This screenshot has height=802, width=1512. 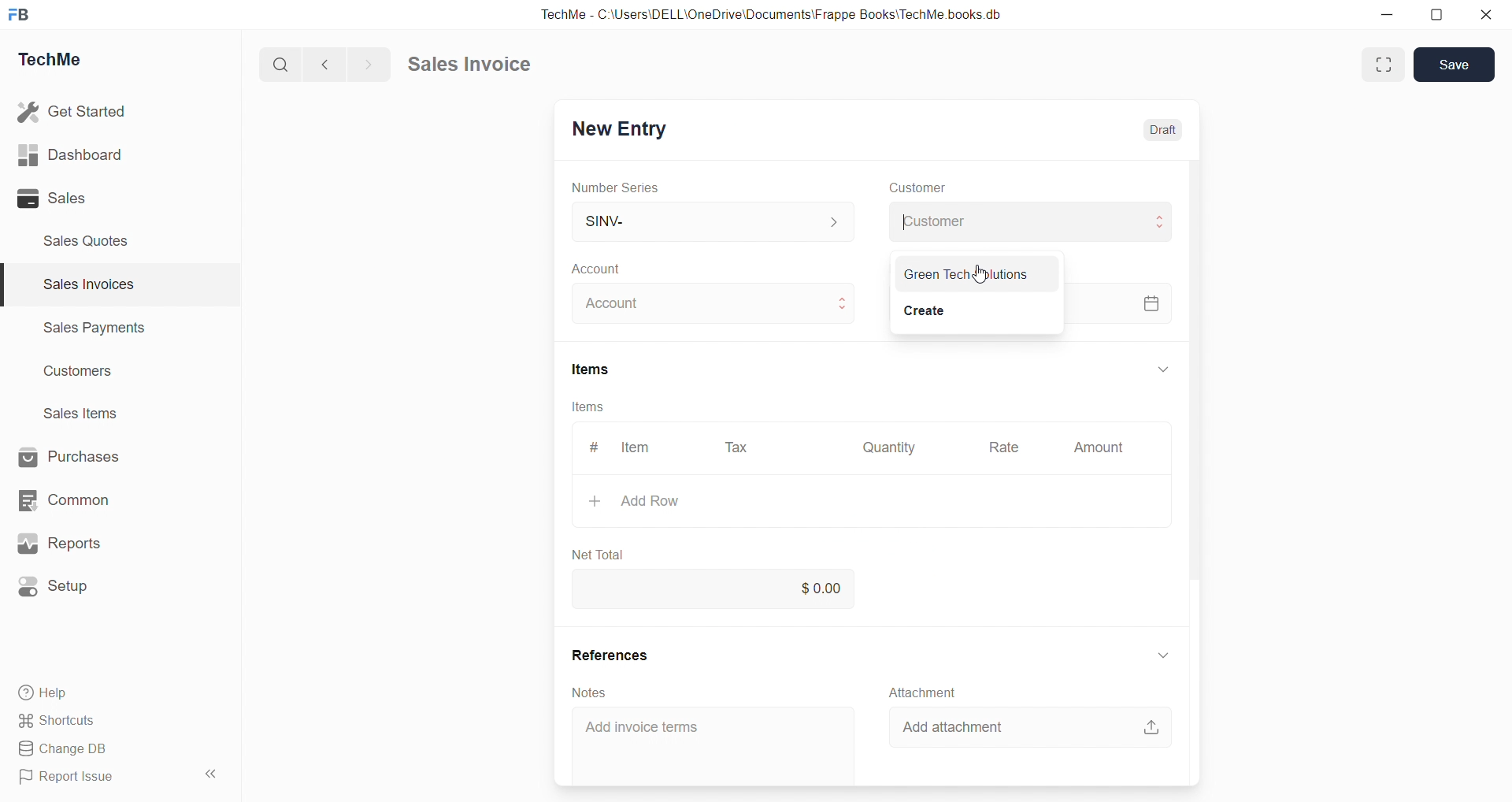 I want to click on Net total, so click(x=597, y=555).